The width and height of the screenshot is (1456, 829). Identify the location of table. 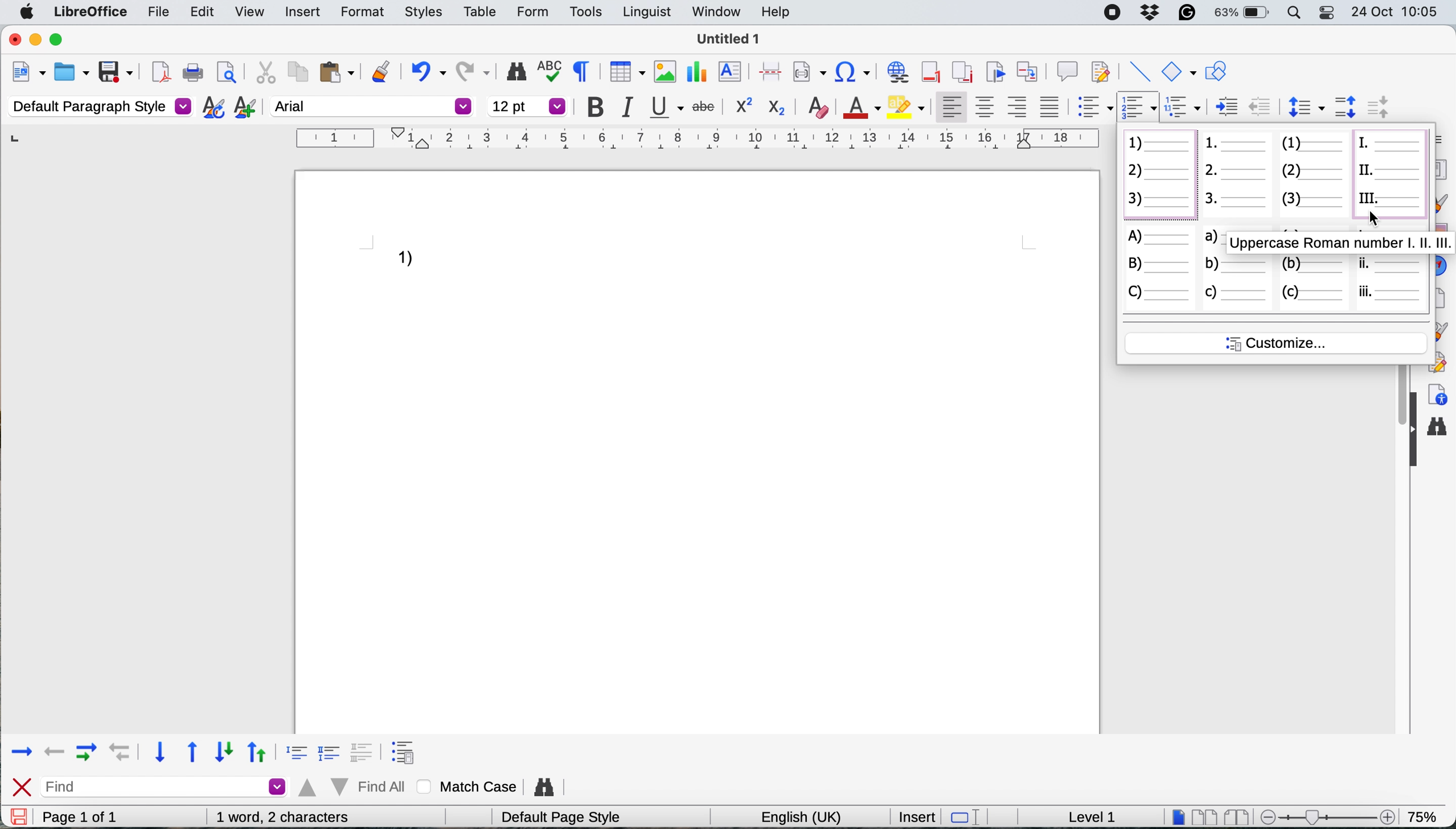
(483, 11).